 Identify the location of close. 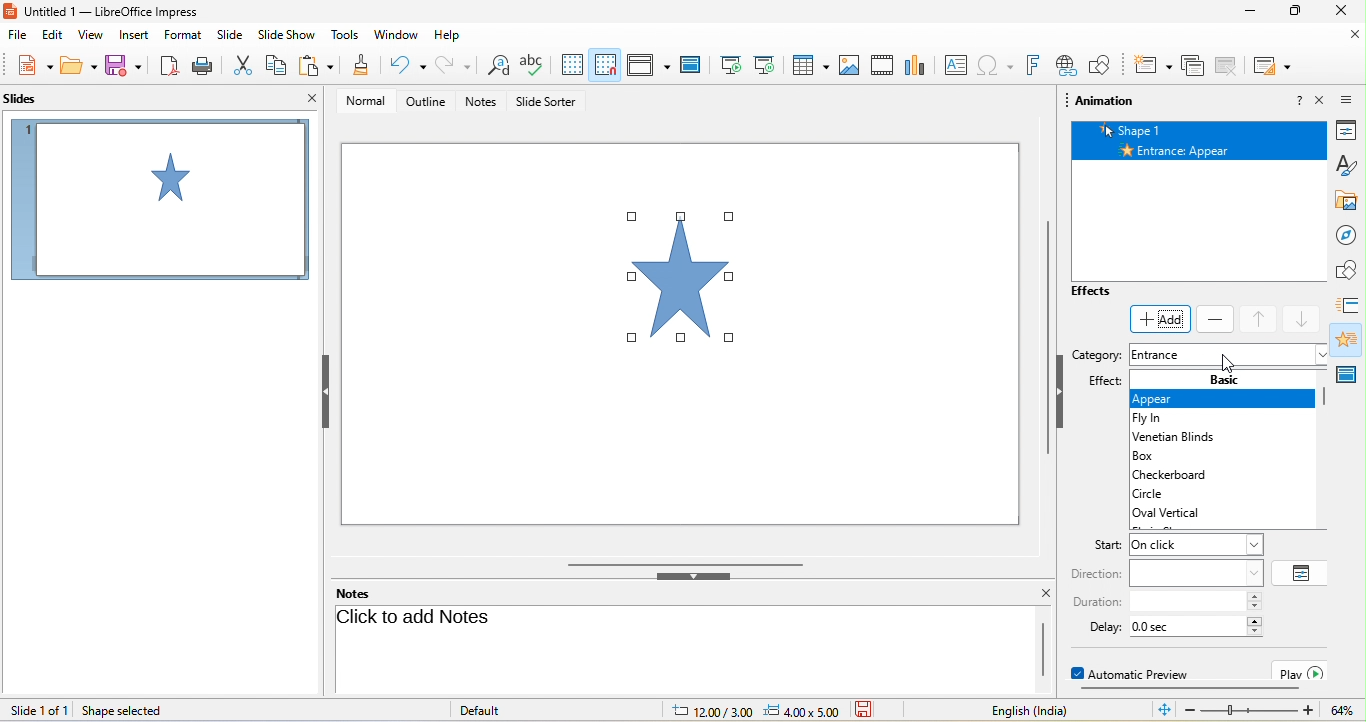
(308, 99).